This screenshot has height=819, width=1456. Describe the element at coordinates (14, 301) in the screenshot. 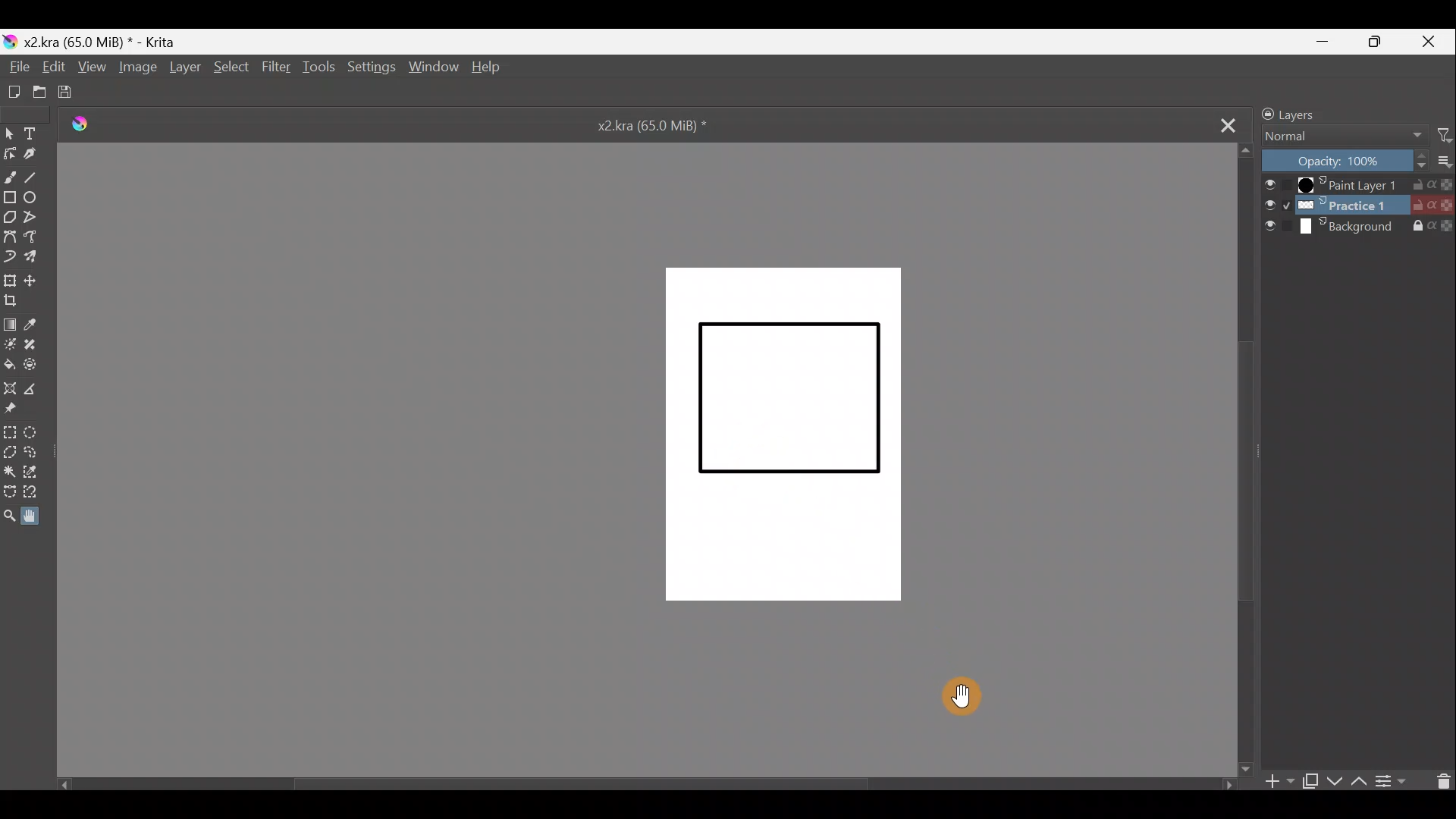

I see `Crop image to an area` at that location.